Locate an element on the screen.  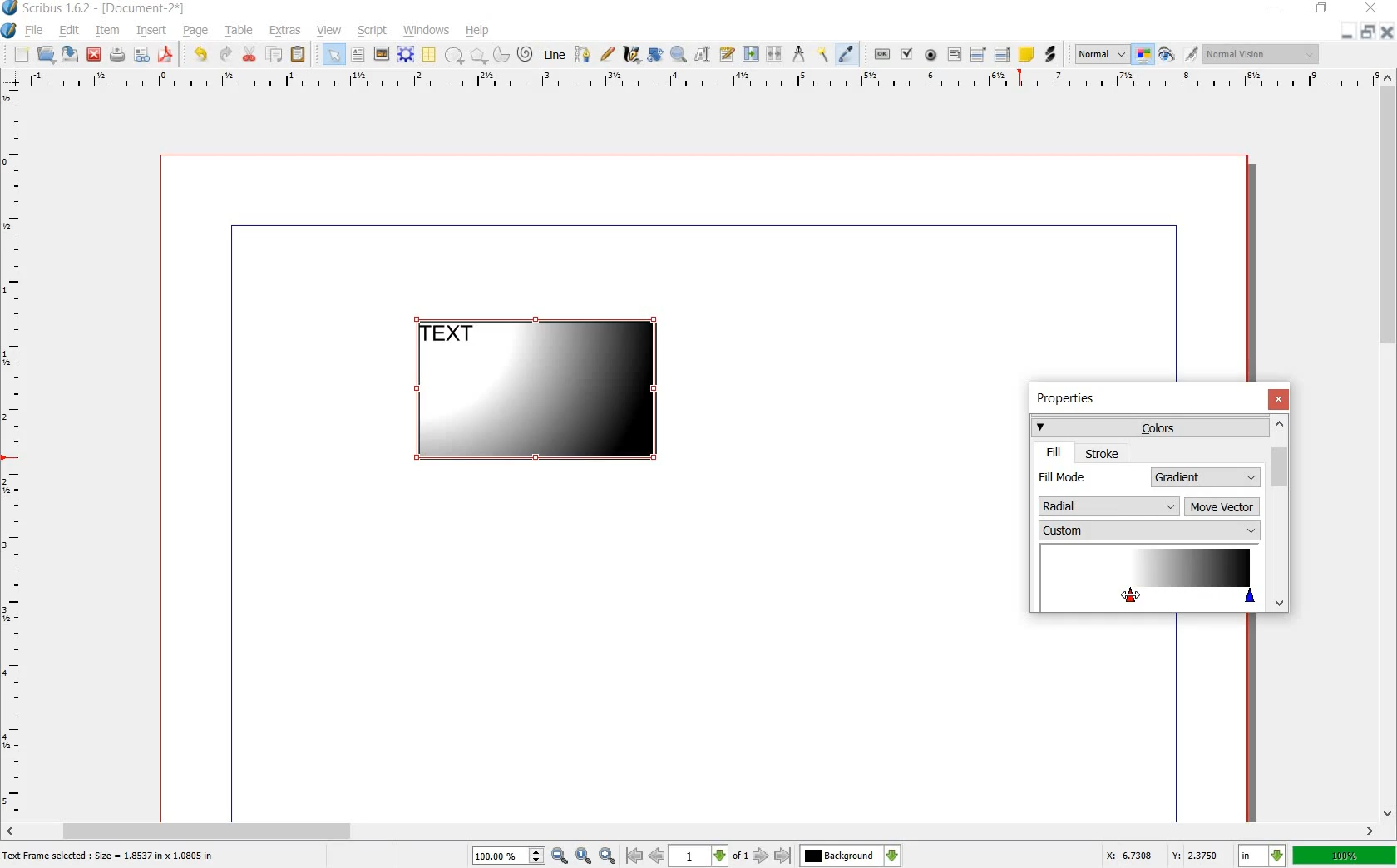
render frame is located at coordinates (406, 55).